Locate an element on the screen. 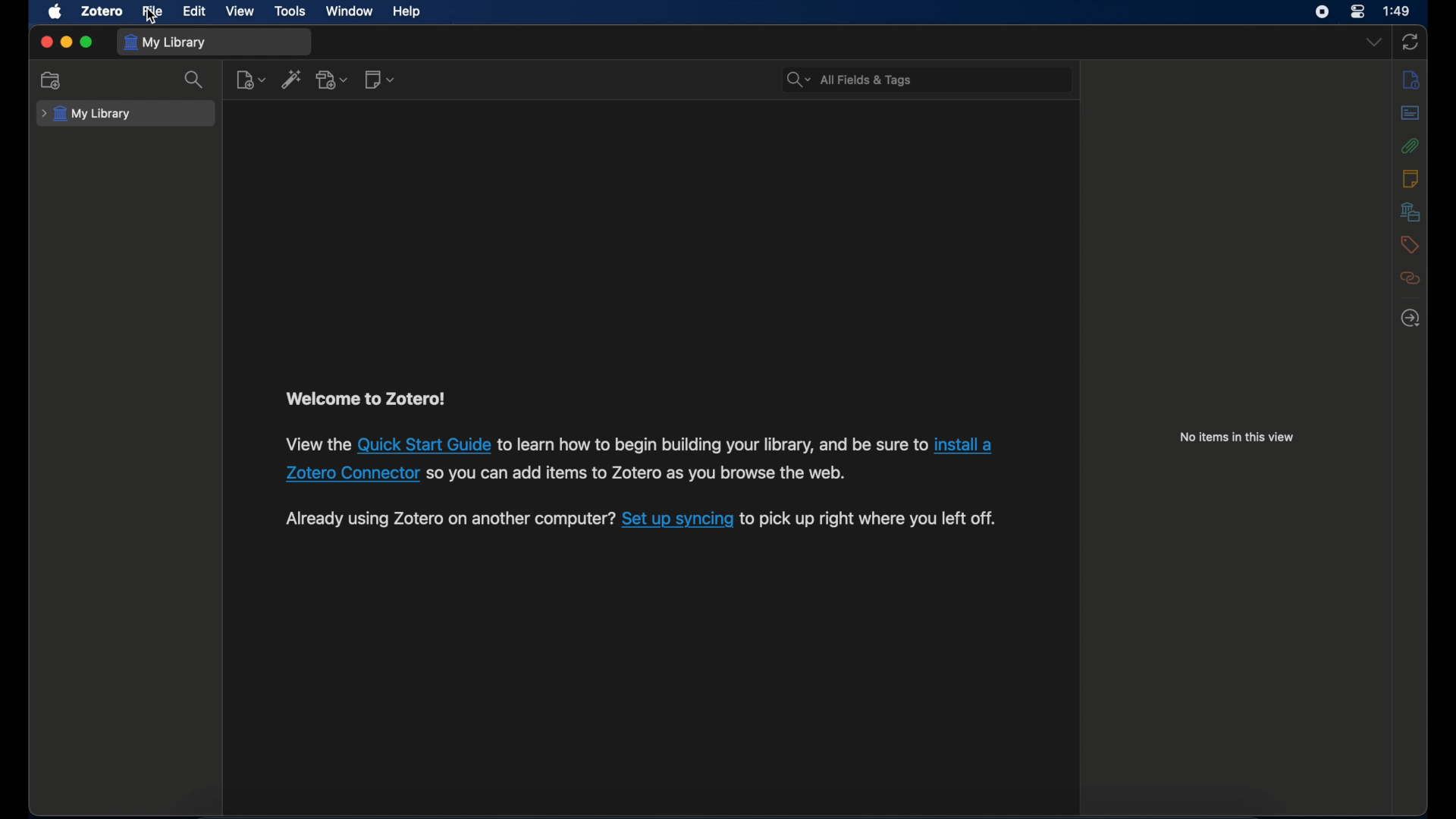 The image size is (1456, 819). window is located at coordinates (350, 11).